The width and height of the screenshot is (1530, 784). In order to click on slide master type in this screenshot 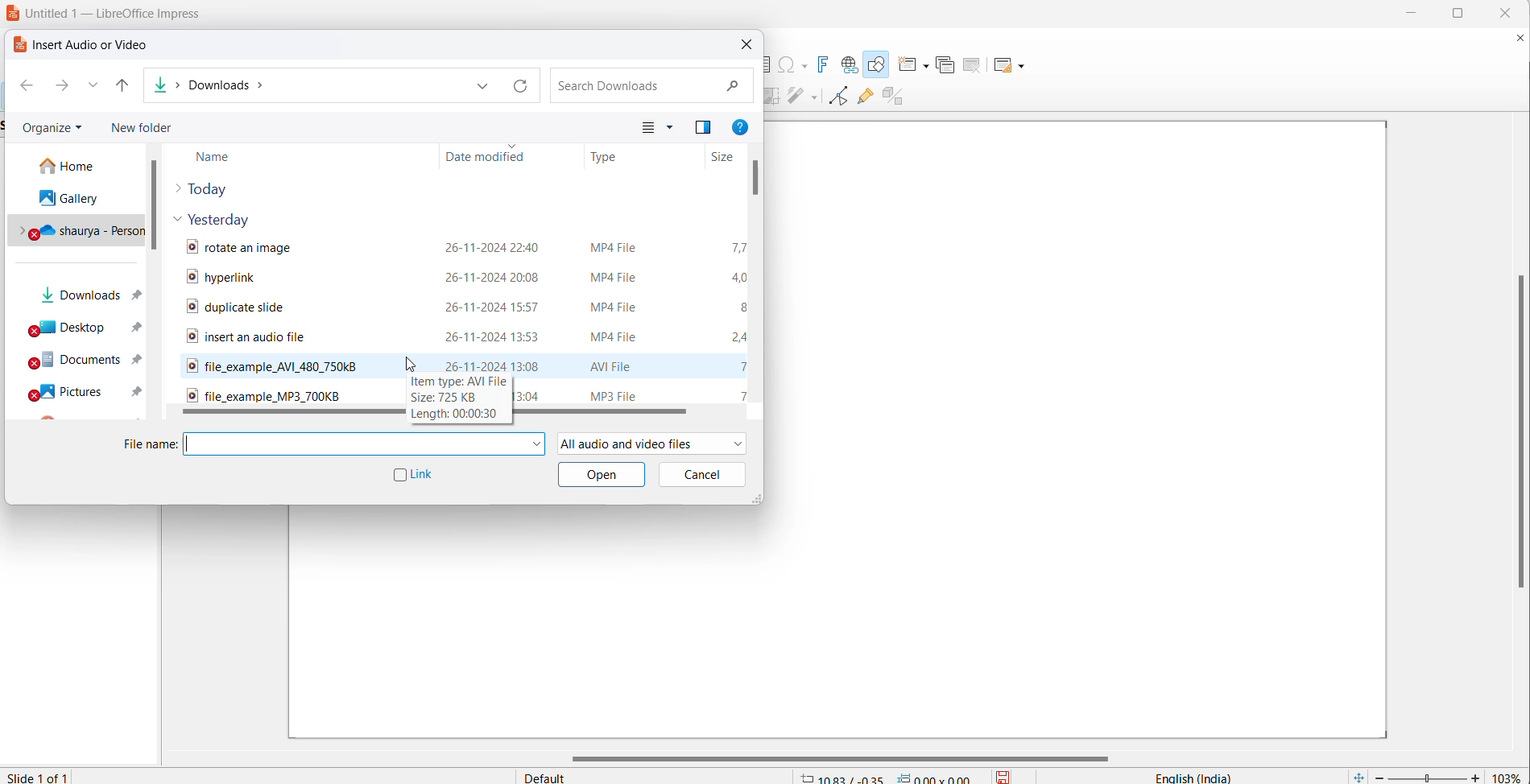, I will do `click(659, 775)`.